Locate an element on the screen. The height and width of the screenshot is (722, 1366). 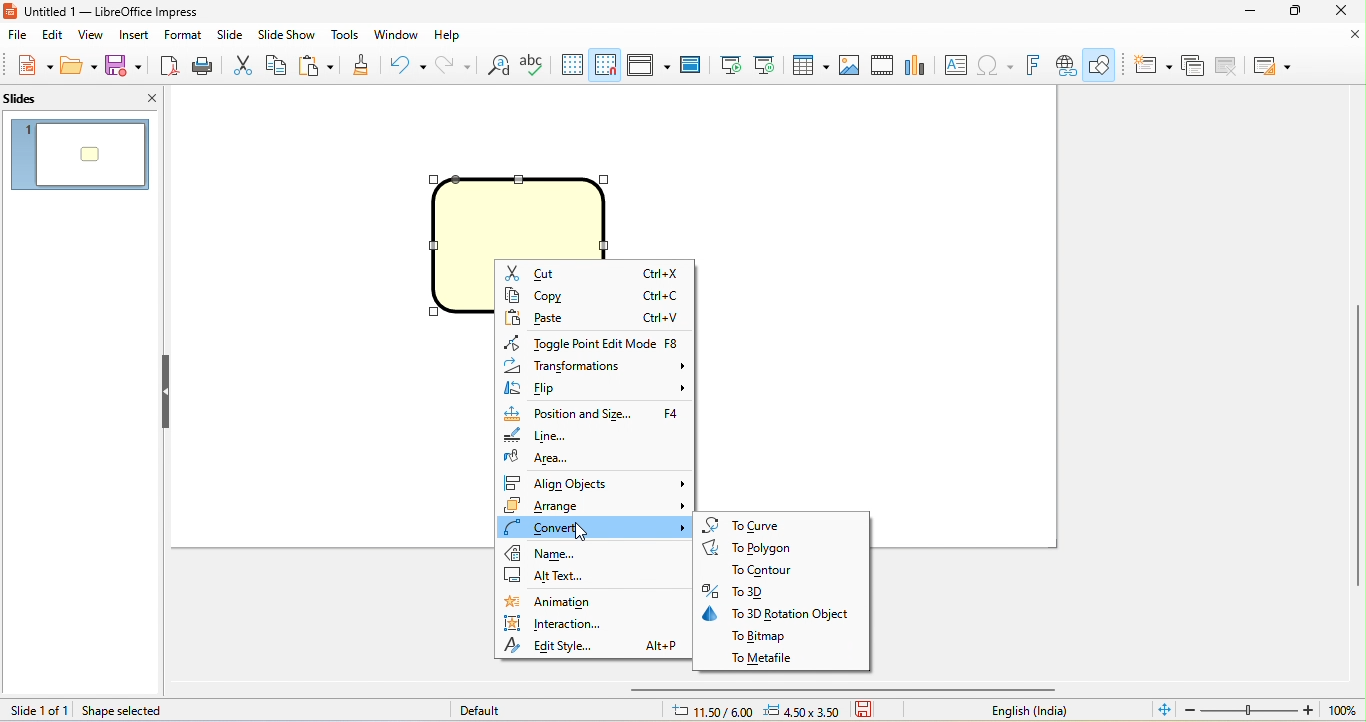
line is located at coordinates (537, 436).